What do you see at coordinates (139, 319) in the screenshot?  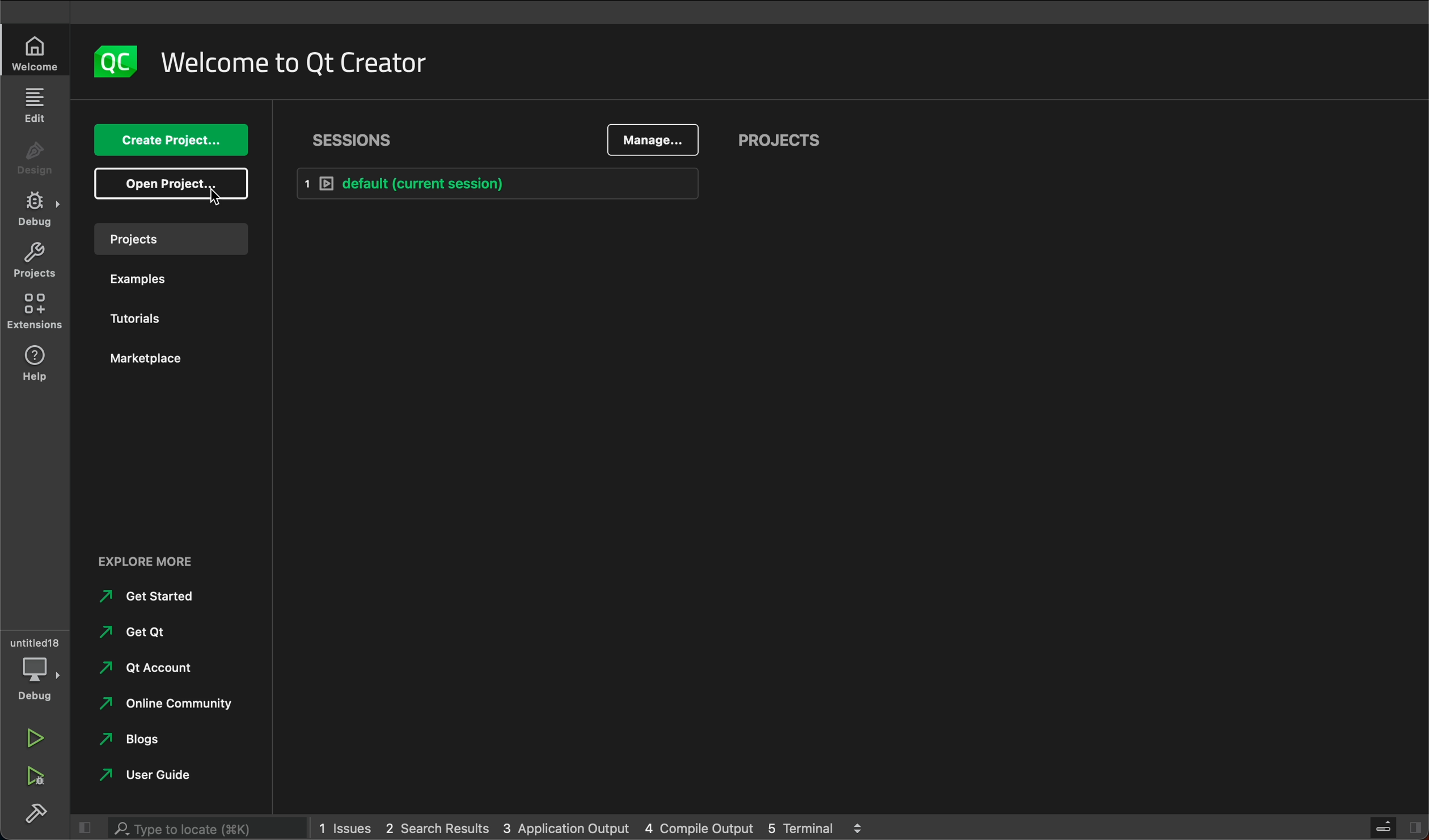 I see `tutorials` at bounding box center [139, 319].